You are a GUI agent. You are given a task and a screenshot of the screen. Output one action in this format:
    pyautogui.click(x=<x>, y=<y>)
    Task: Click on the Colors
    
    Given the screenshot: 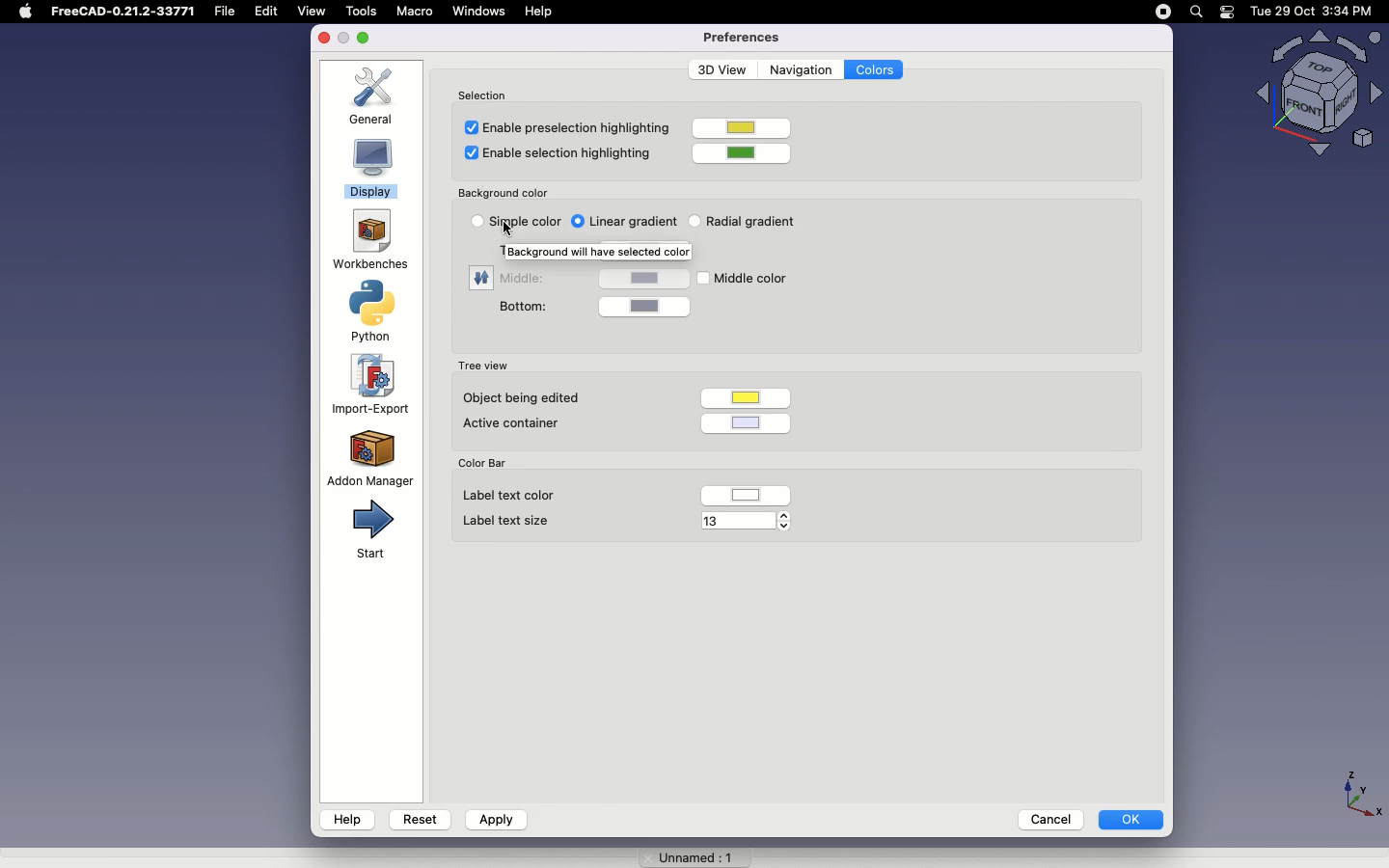 What is the action you would take?
    pyautogui.click(x=875, y=70)
    